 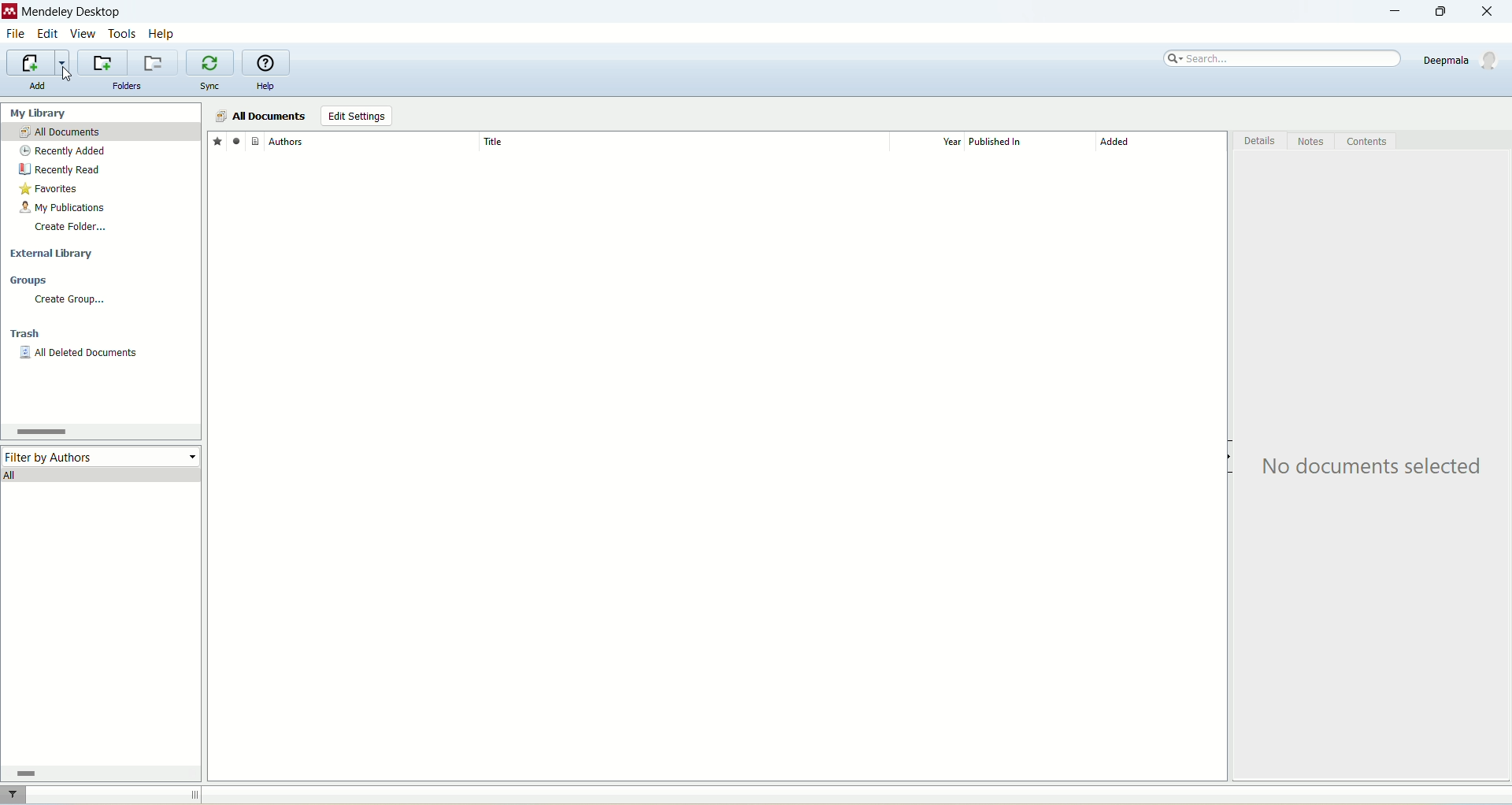 What do you see at coordinates (46, 34) in the screenshot?
I see `edit` at bounding box center [46, 34].